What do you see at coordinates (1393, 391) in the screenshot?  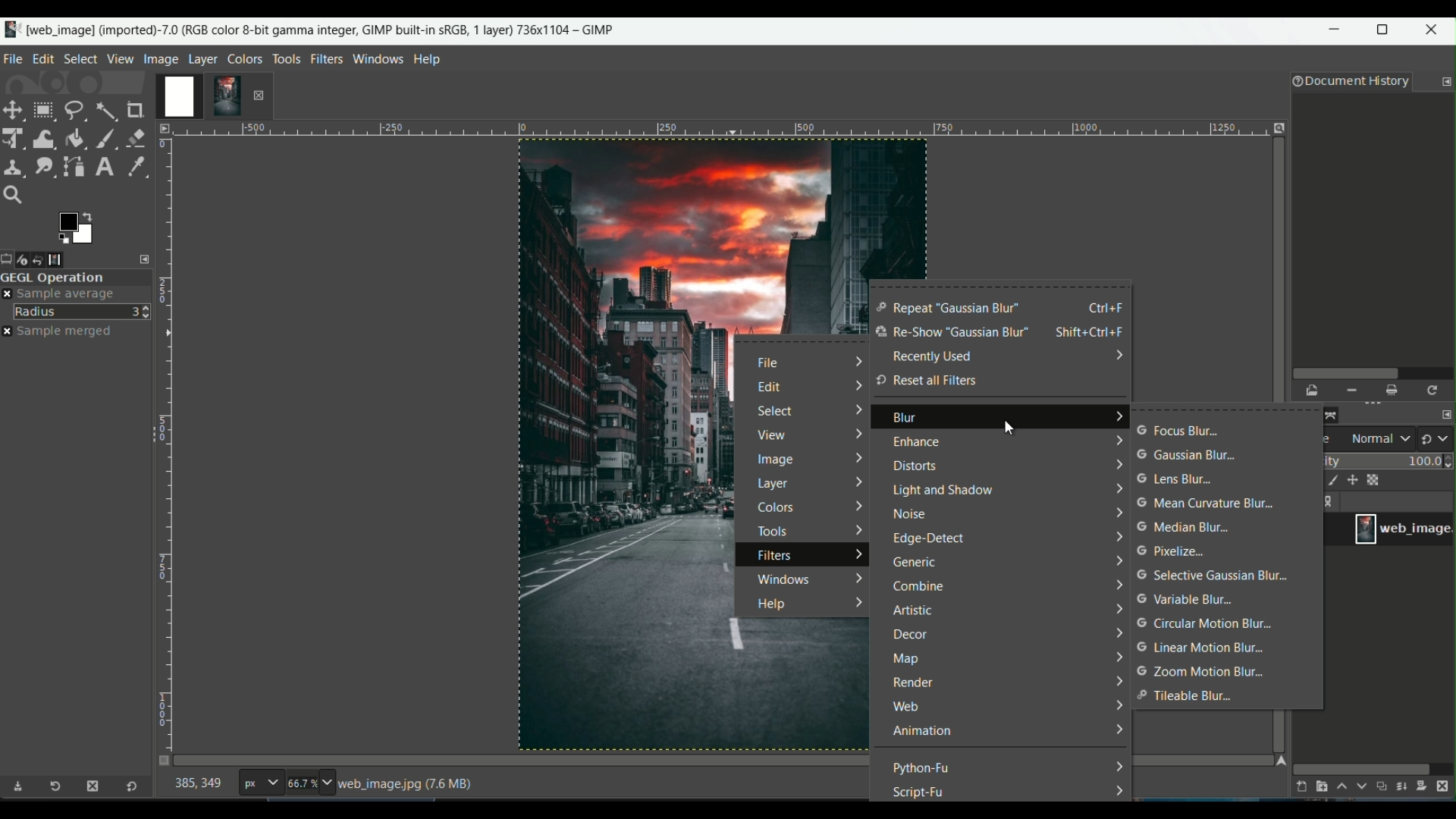 I see `clear the entire document history` at bounding box center [1393, 391].